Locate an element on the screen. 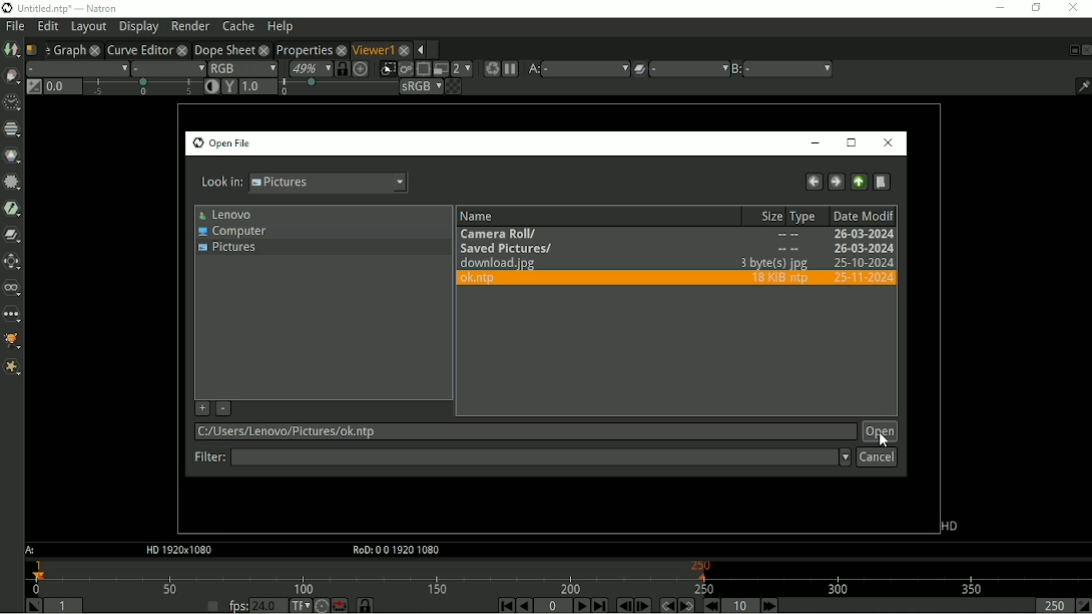 Image resolution: width=1092 pixels, height=614 pixels. Image is located at coordinates (11, 50).